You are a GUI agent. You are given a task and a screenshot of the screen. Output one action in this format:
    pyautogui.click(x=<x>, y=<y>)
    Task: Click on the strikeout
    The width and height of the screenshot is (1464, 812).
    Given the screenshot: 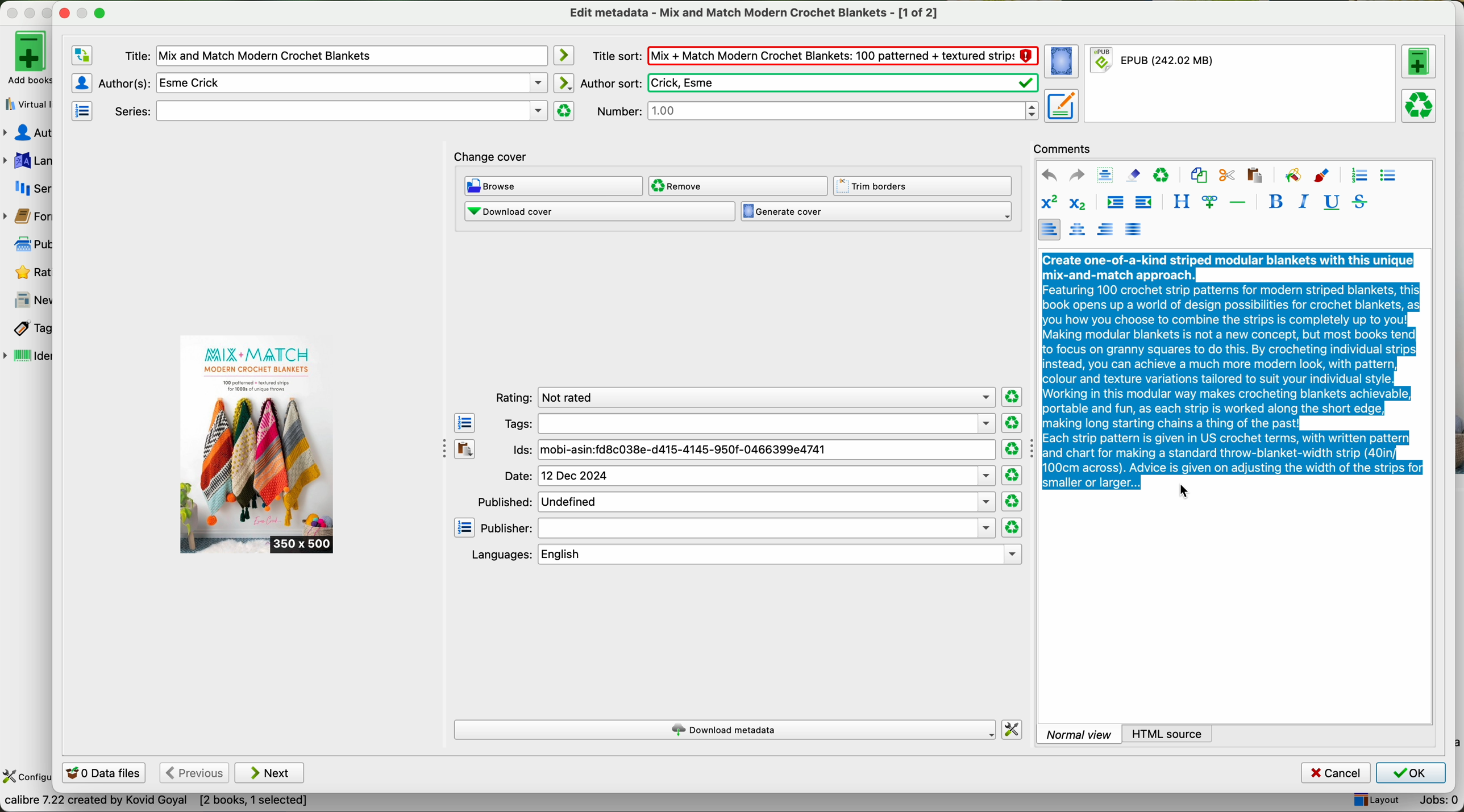 What is the action you would take?
    pyautogui.click(x=1358, y=201)
    